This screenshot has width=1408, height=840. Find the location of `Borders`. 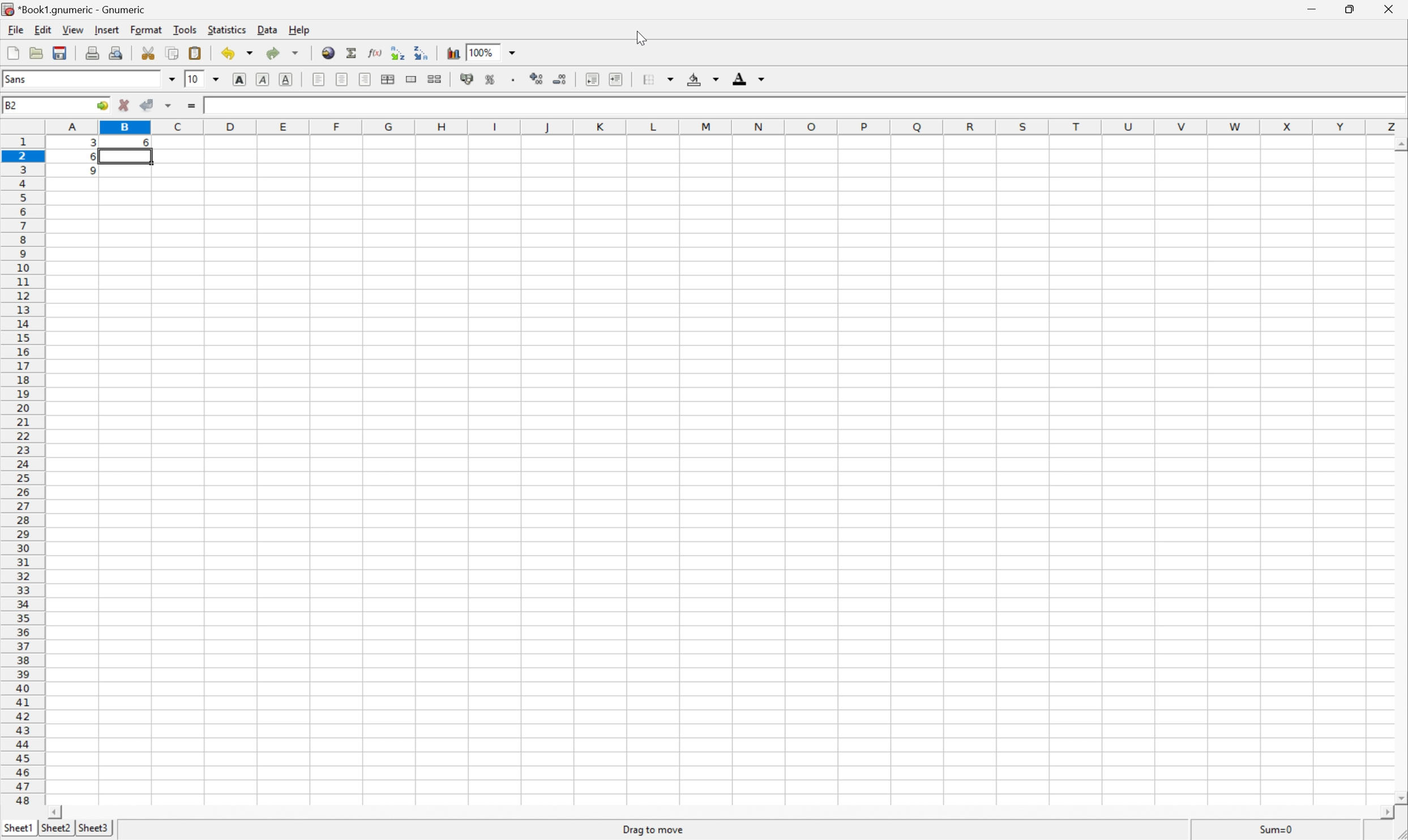

Borders is located at coordinates (657, 79).